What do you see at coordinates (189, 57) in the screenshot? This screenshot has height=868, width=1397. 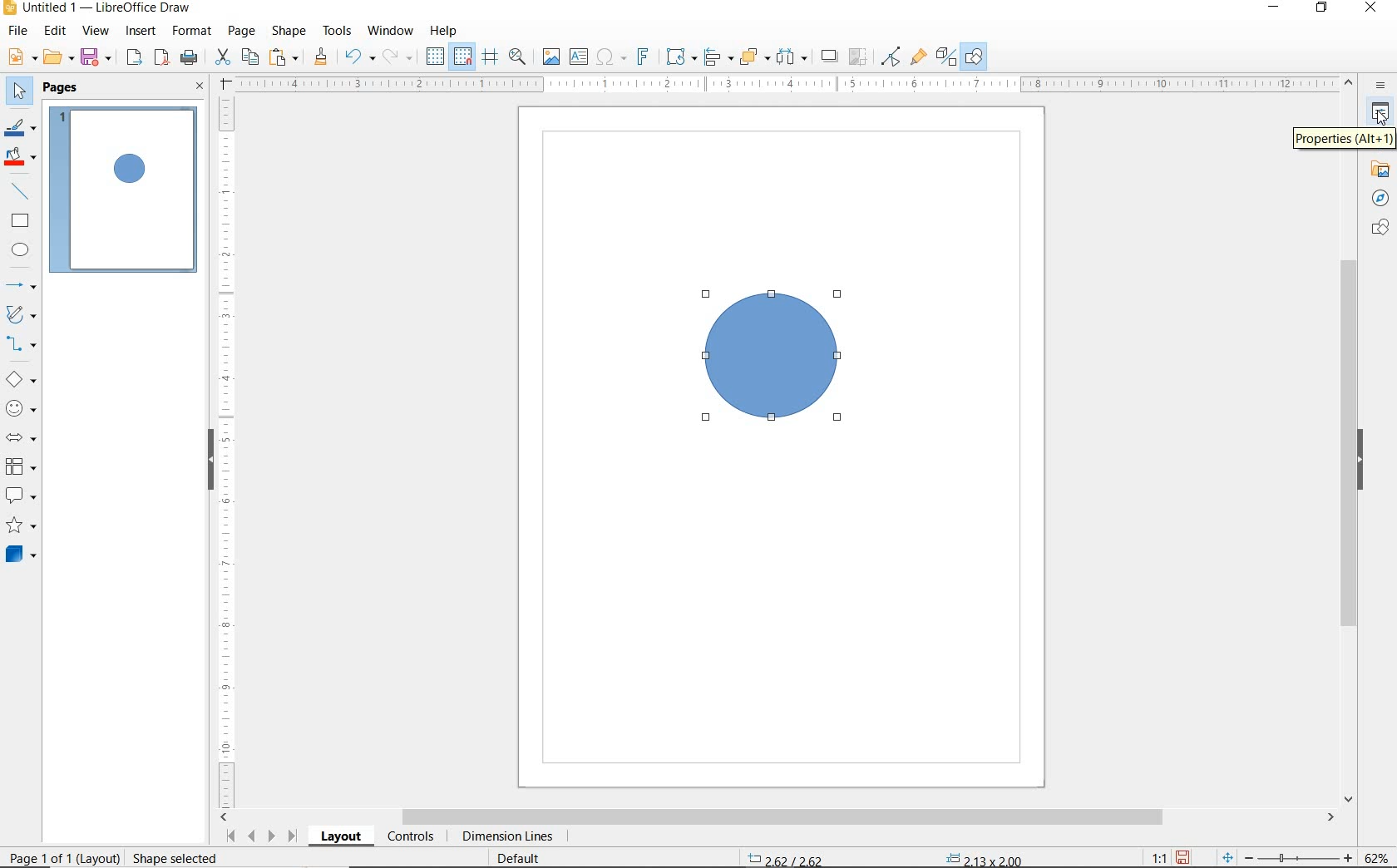 I see `PRINT` at bounding box center [189, 57].